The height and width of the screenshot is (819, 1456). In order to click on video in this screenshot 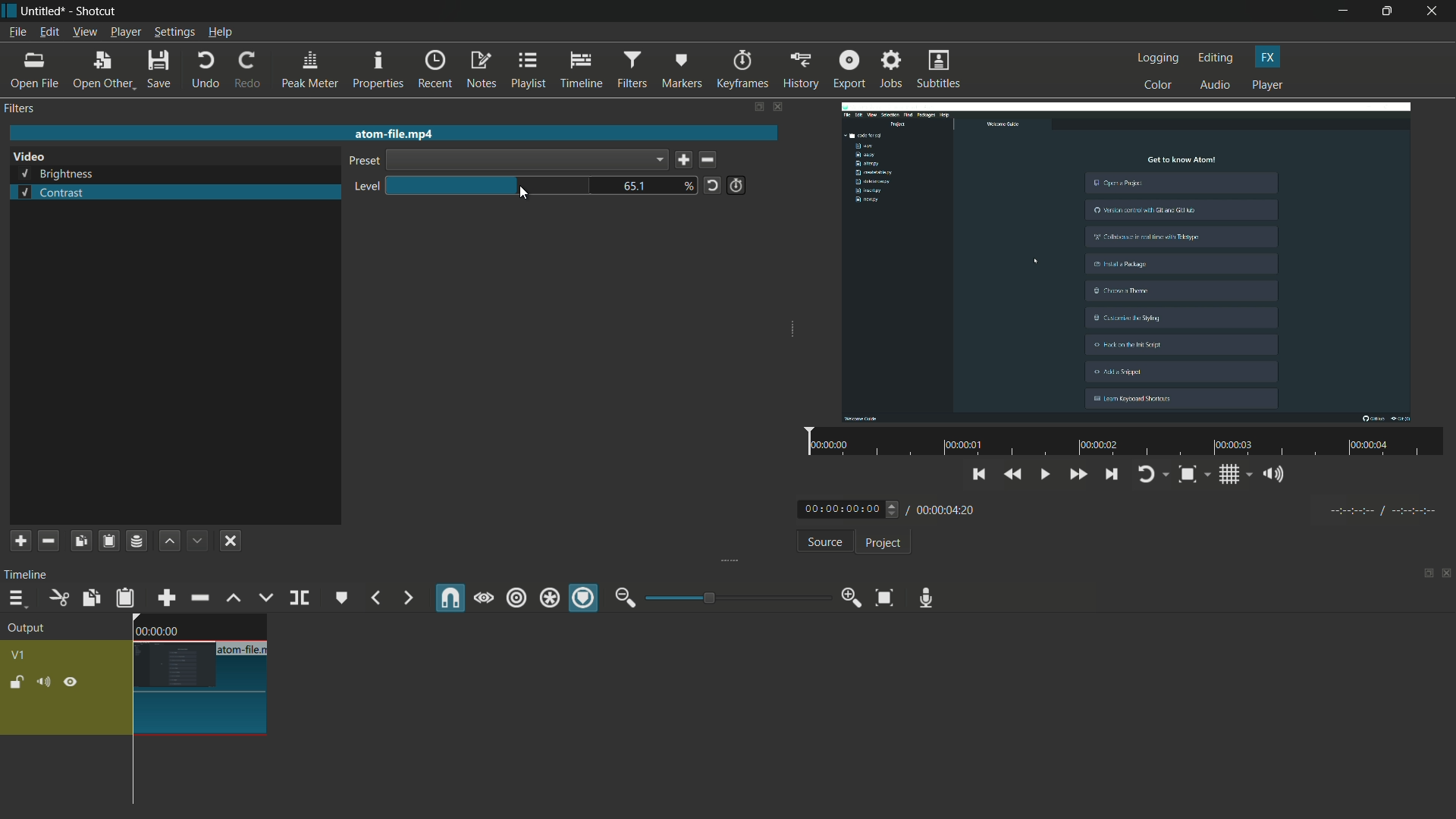, I will do `click(1128, 263)`.